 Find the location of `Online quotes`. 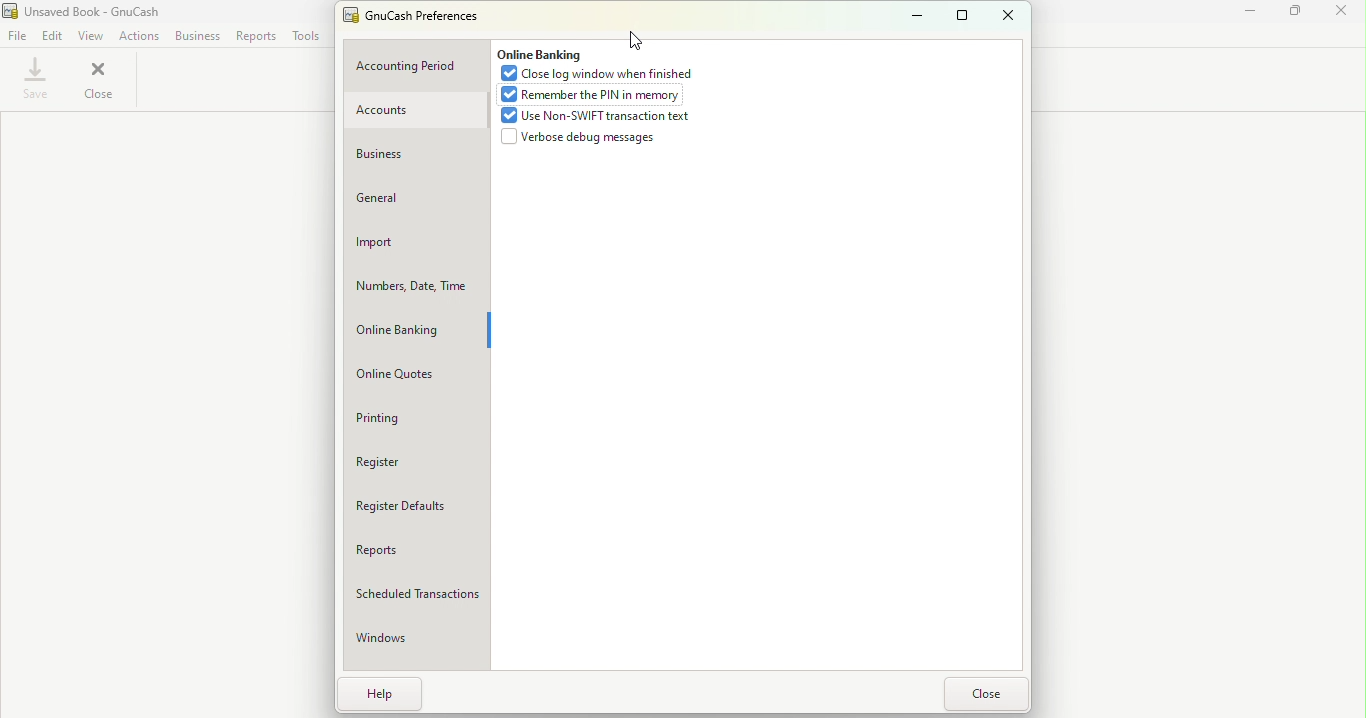

Online quotes is located at coordinates (409, 377).